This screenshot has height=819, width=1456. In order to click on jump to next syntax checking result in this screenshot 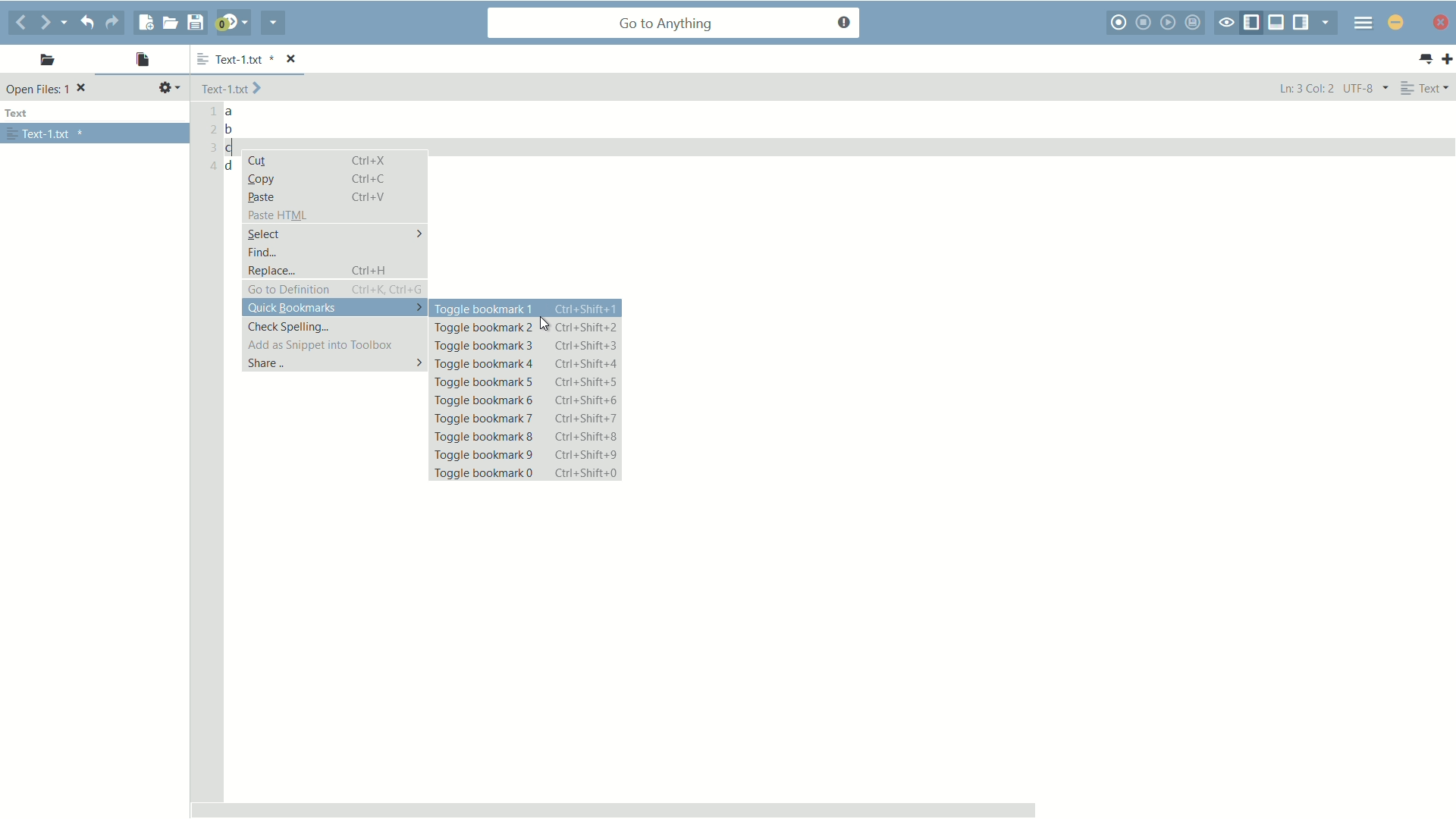, I will do `click(231, 23)`.